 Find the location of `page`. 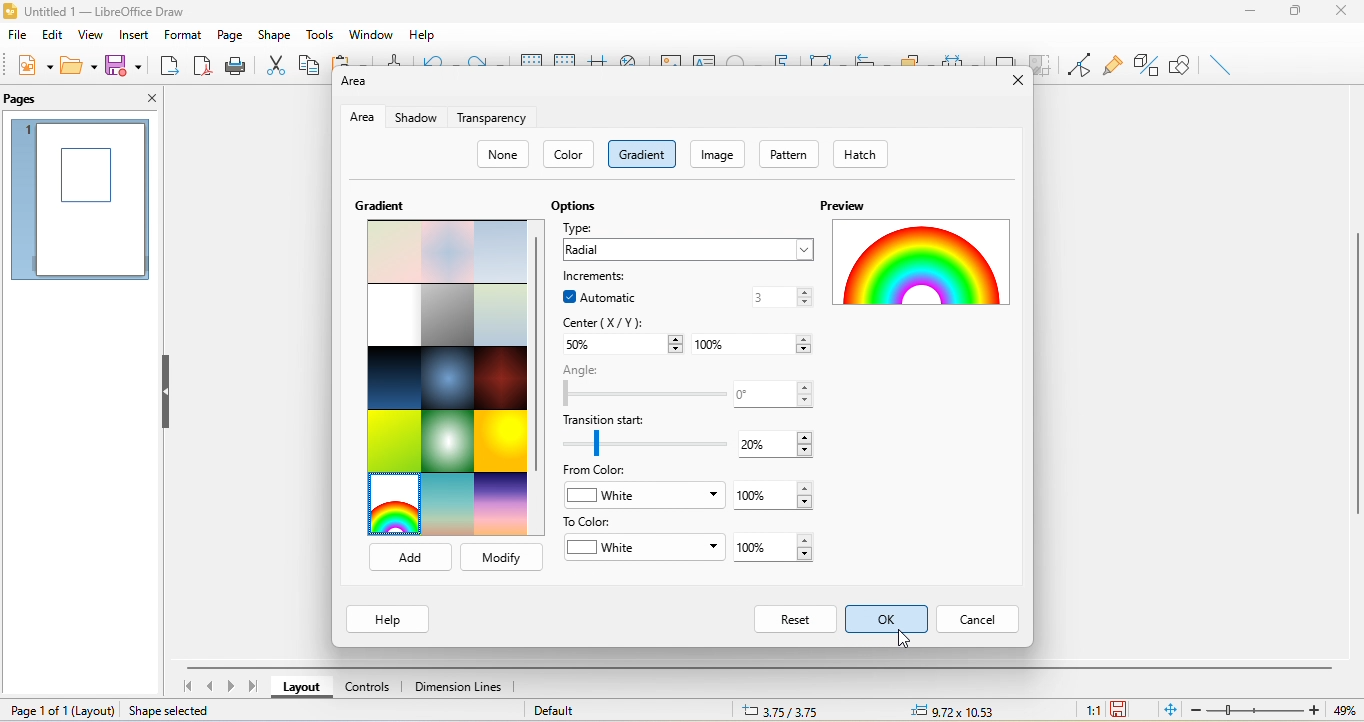

page is located at coordinates (229, 34).